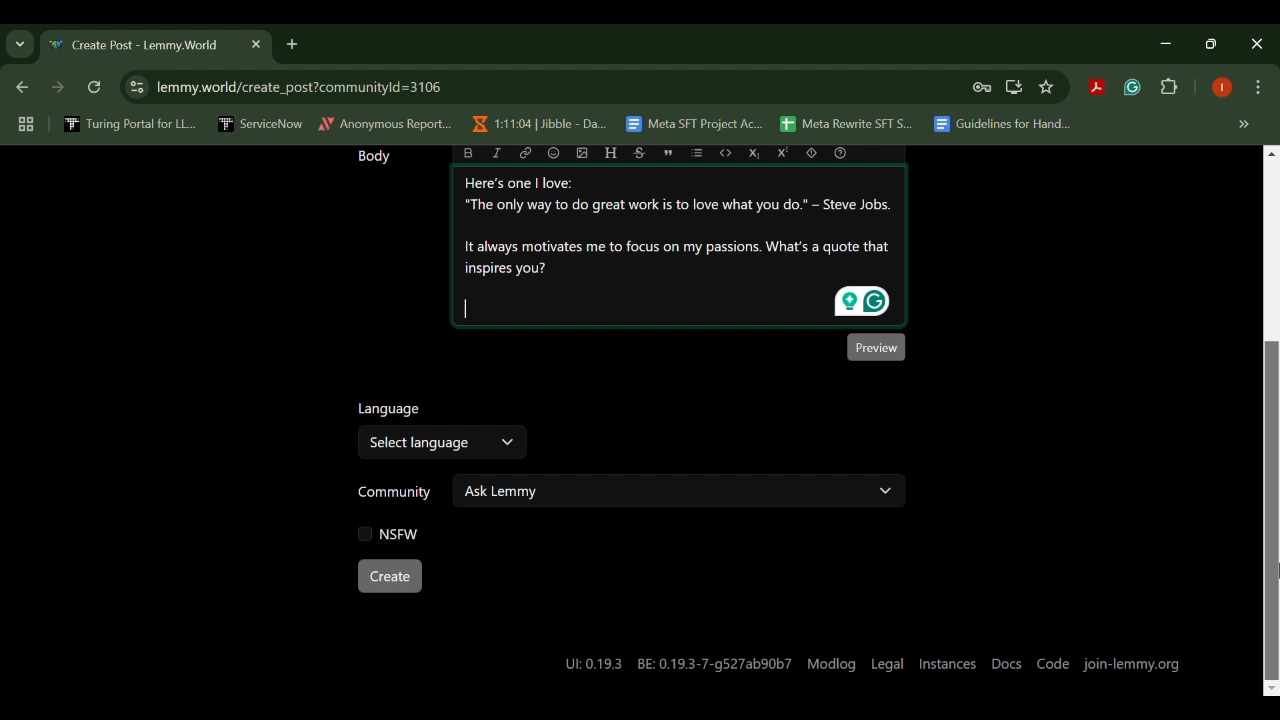 This screenshot has width=1280, height=720. Describe the element at coordinates (261, 123) in the screenshot. I see `ServiceNow` at that location.